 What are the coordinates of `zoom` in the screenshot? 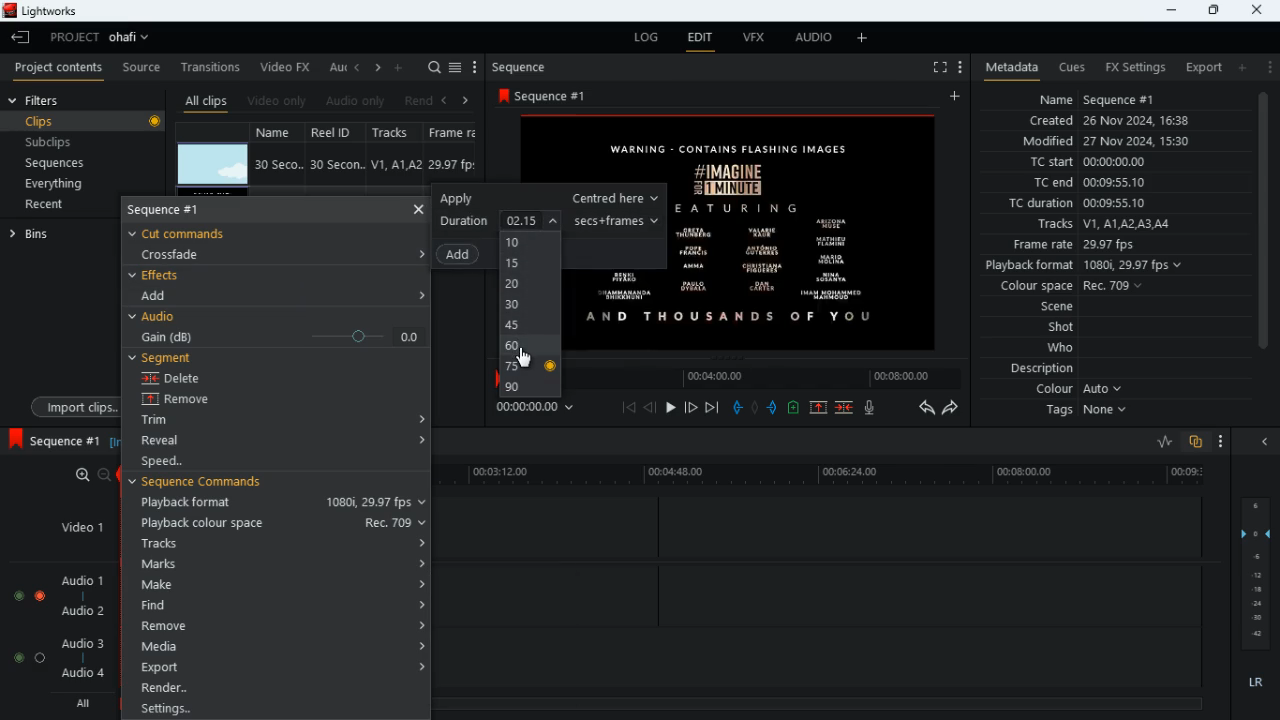 It's located at (85, 475).